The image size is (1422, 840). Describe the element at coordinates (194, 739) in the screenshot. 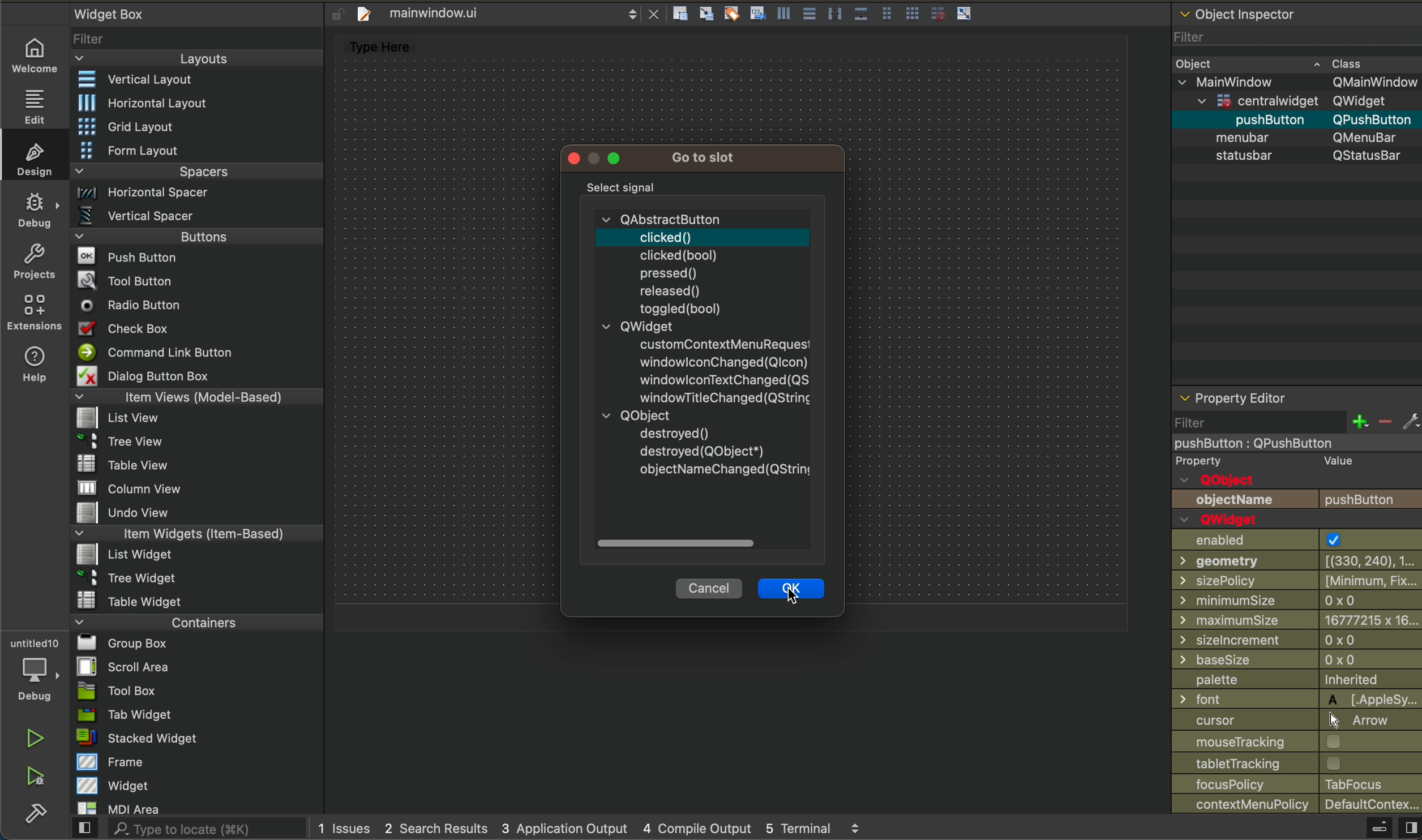

I see `stacked widget` at that location.